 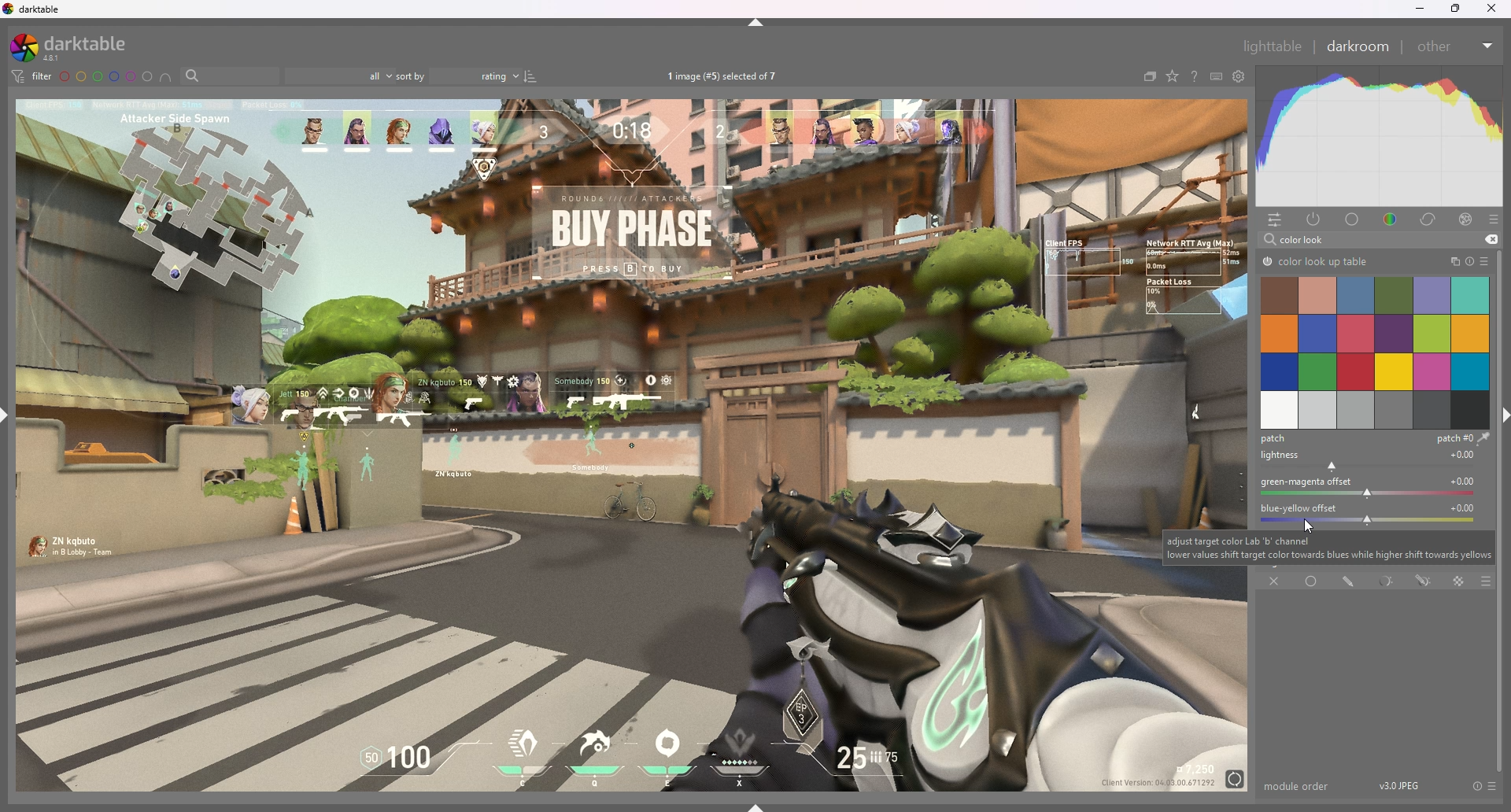 I want to click on color, so click(x=1392, y=220).